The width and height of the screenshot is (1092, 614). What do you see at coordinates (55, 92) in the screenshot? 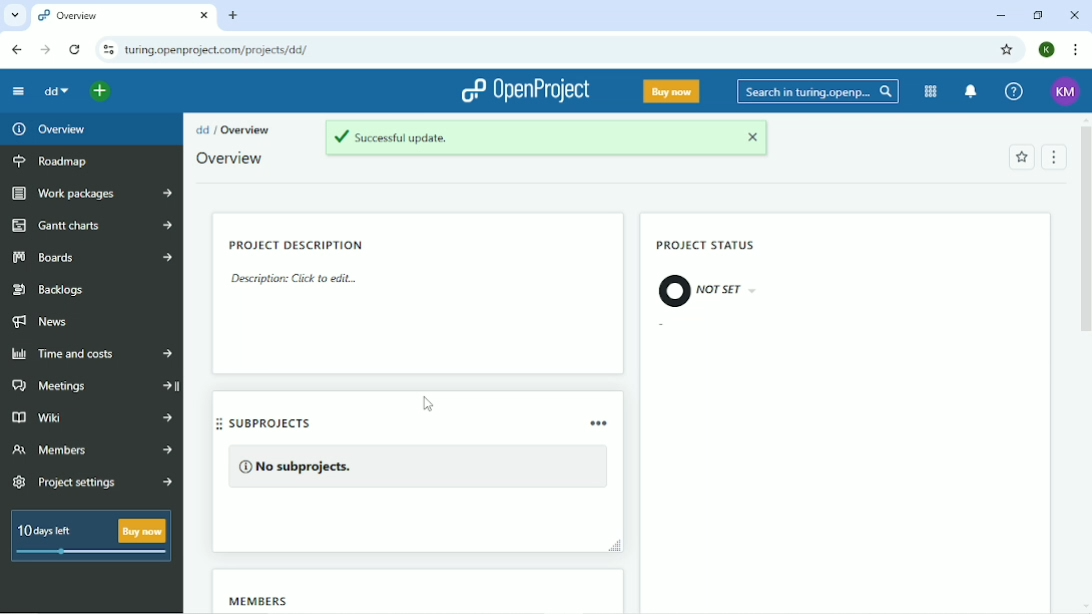
I see `dd` at bounding box center [55, 92].